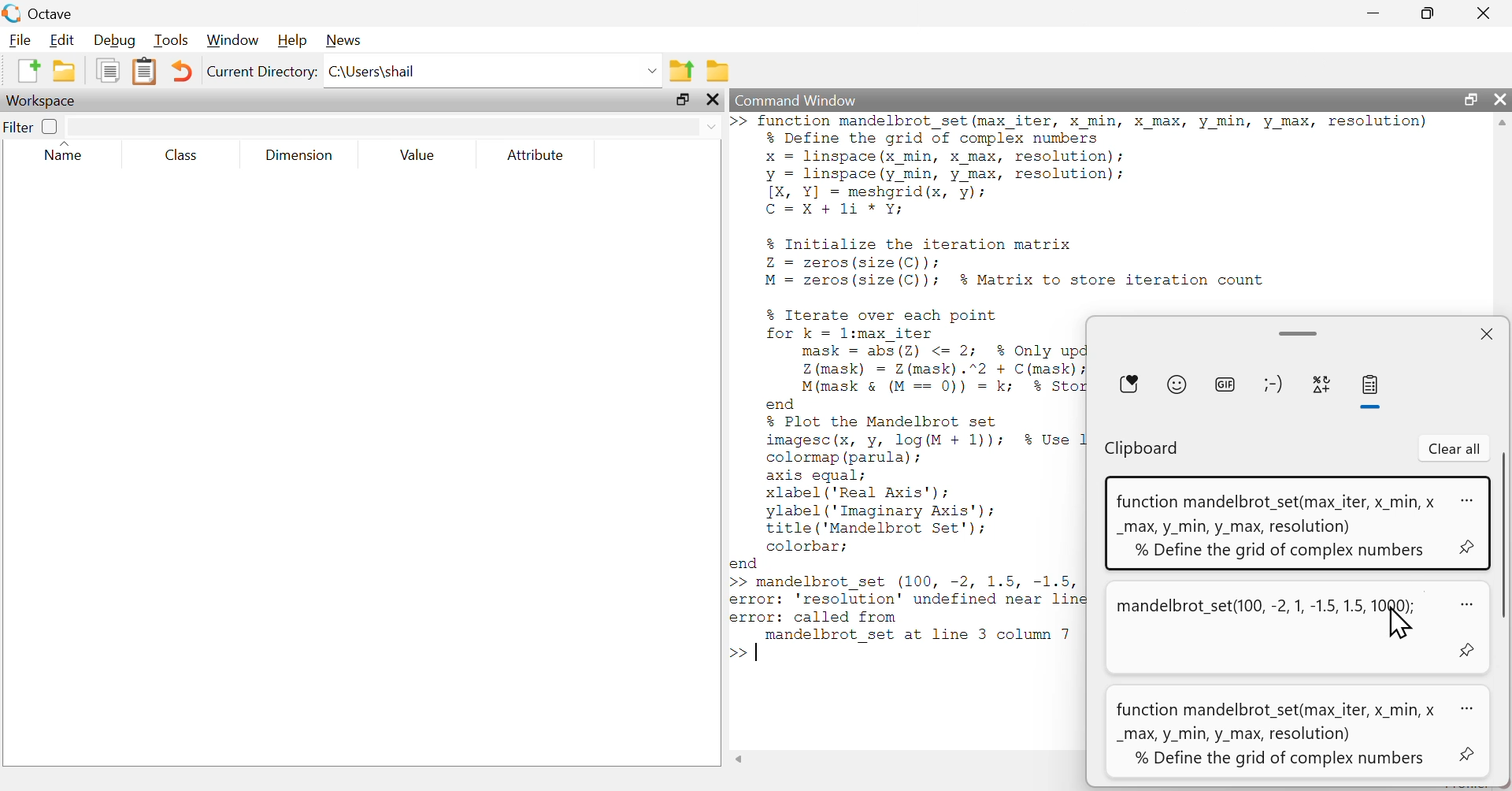 This screenshot has width=1512, height=791. Describe the element at coordinates (1465, 650) in the screenshot. I see `pin` at that location.